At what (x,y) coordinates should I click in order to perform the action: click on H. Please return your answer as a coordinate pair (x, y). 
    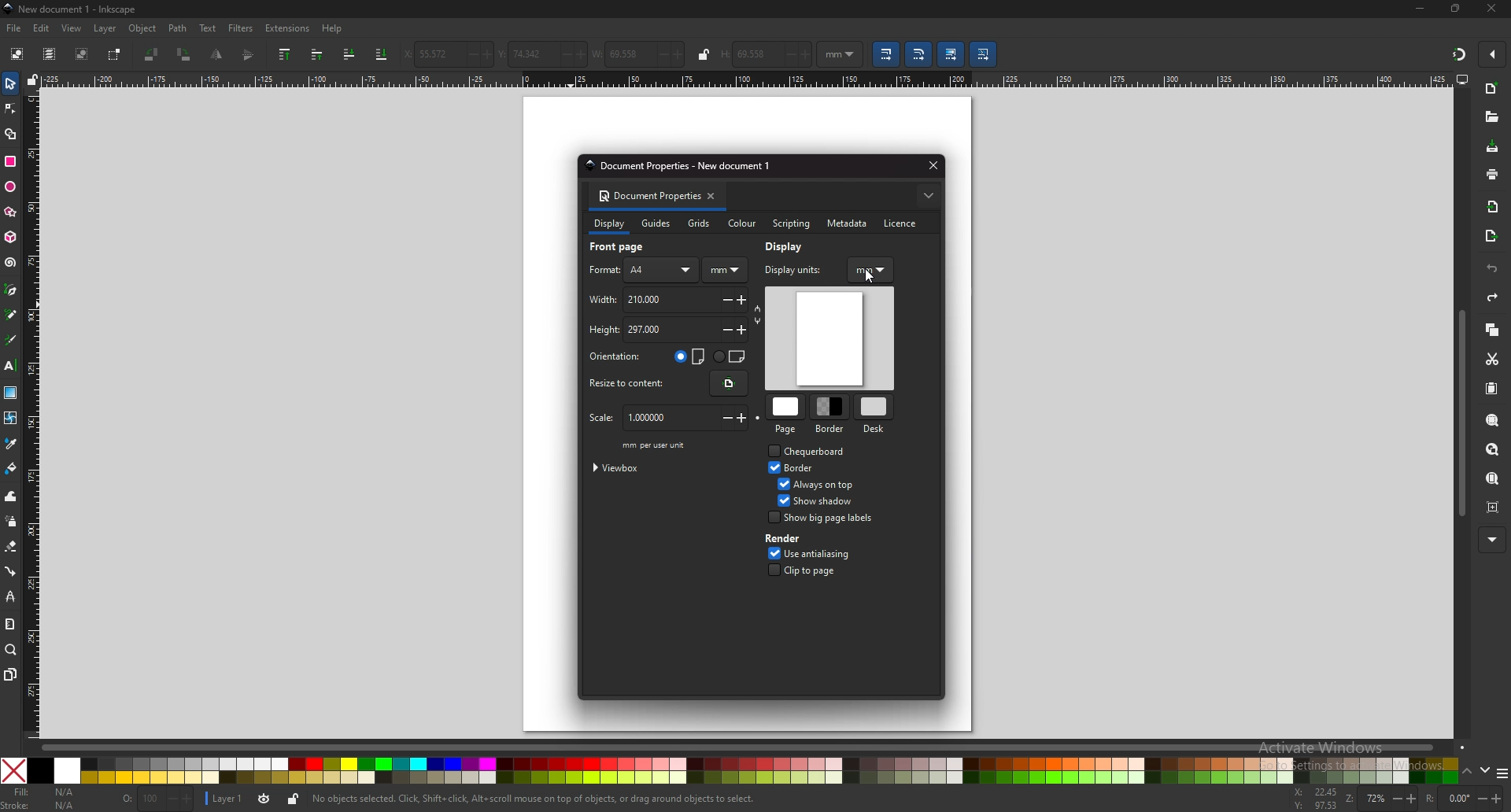
    Looking at the image, I should click on (724, 56).